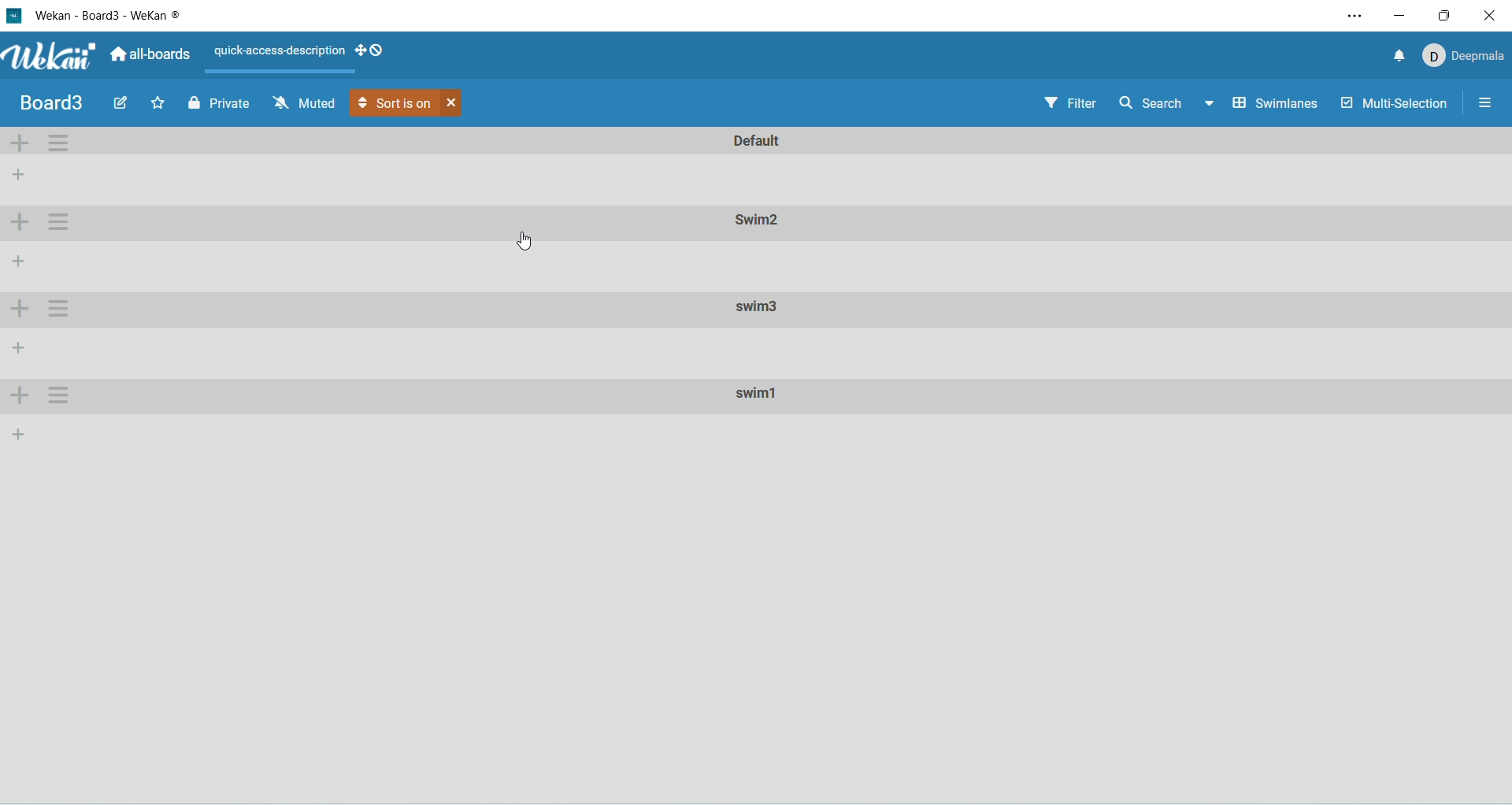  Describe the element at coordinates (1395, 105) in the screenshot. I see `multi-selection` at that location.